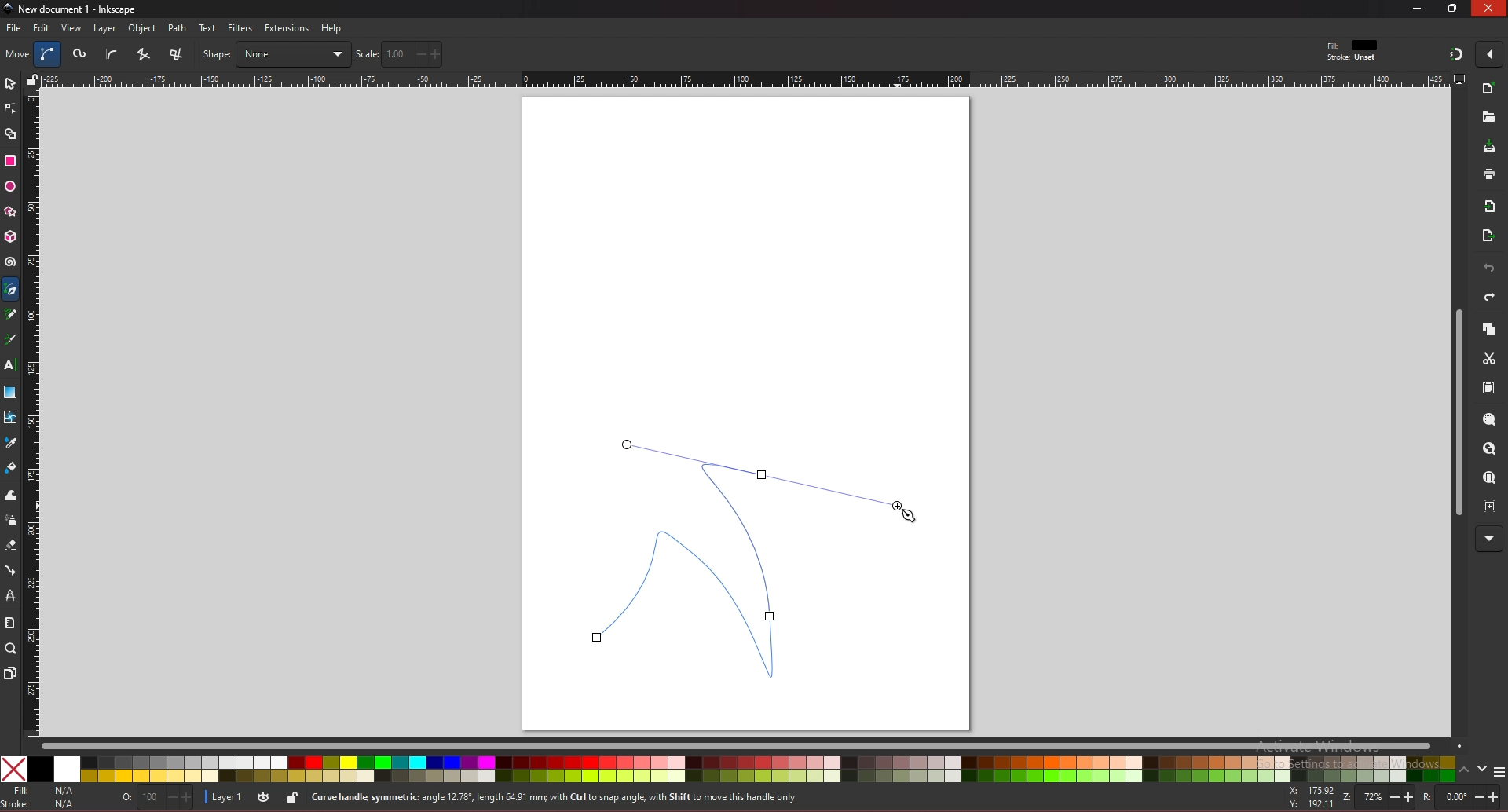 The image size is (1508, 812). Describe the element at coordinates (1489, 297) in the screenshot. I see `redo` at that location.